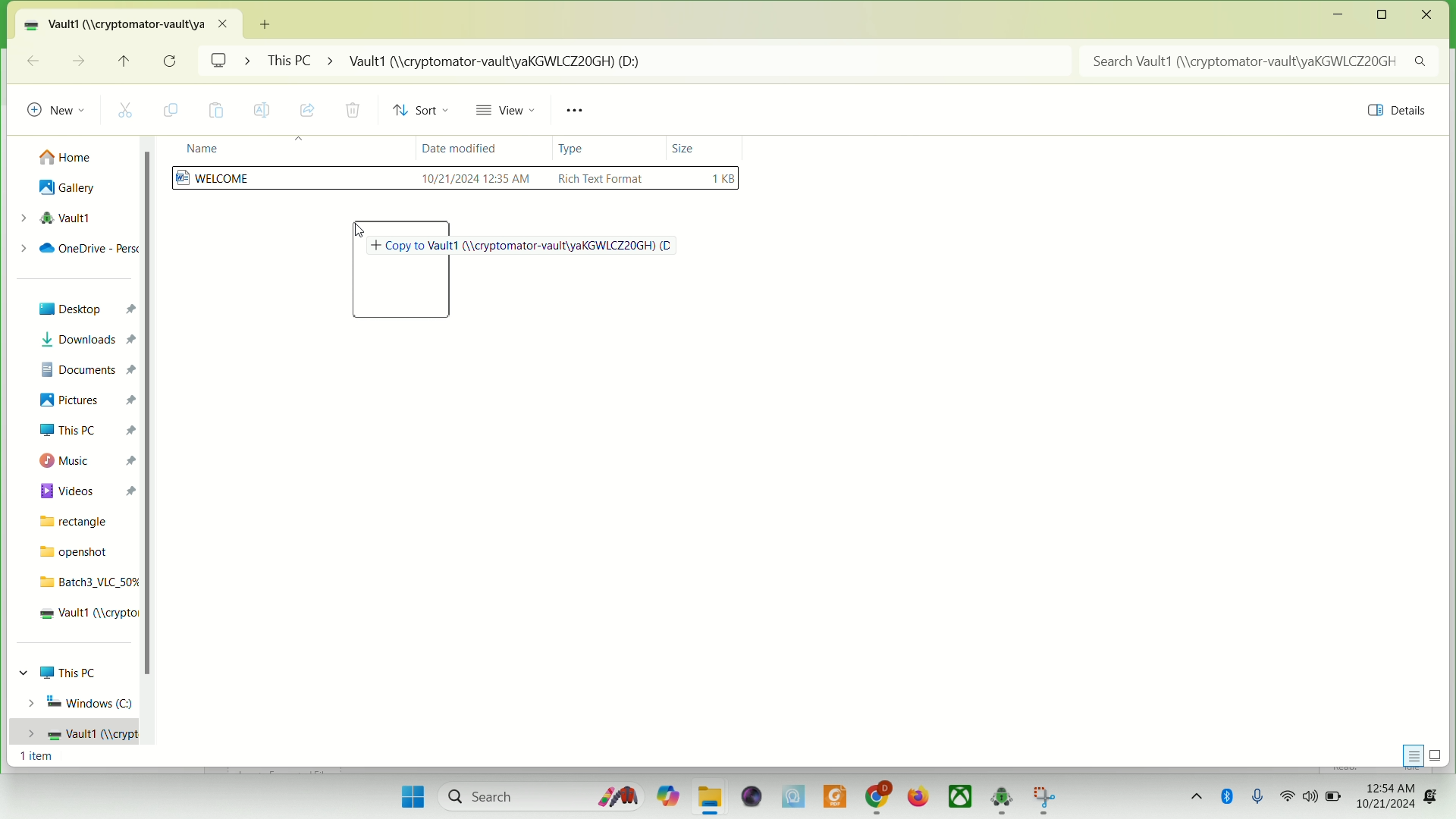 This screenshot has height=819, width=1456. I want to click on details, so click(1392, 113).